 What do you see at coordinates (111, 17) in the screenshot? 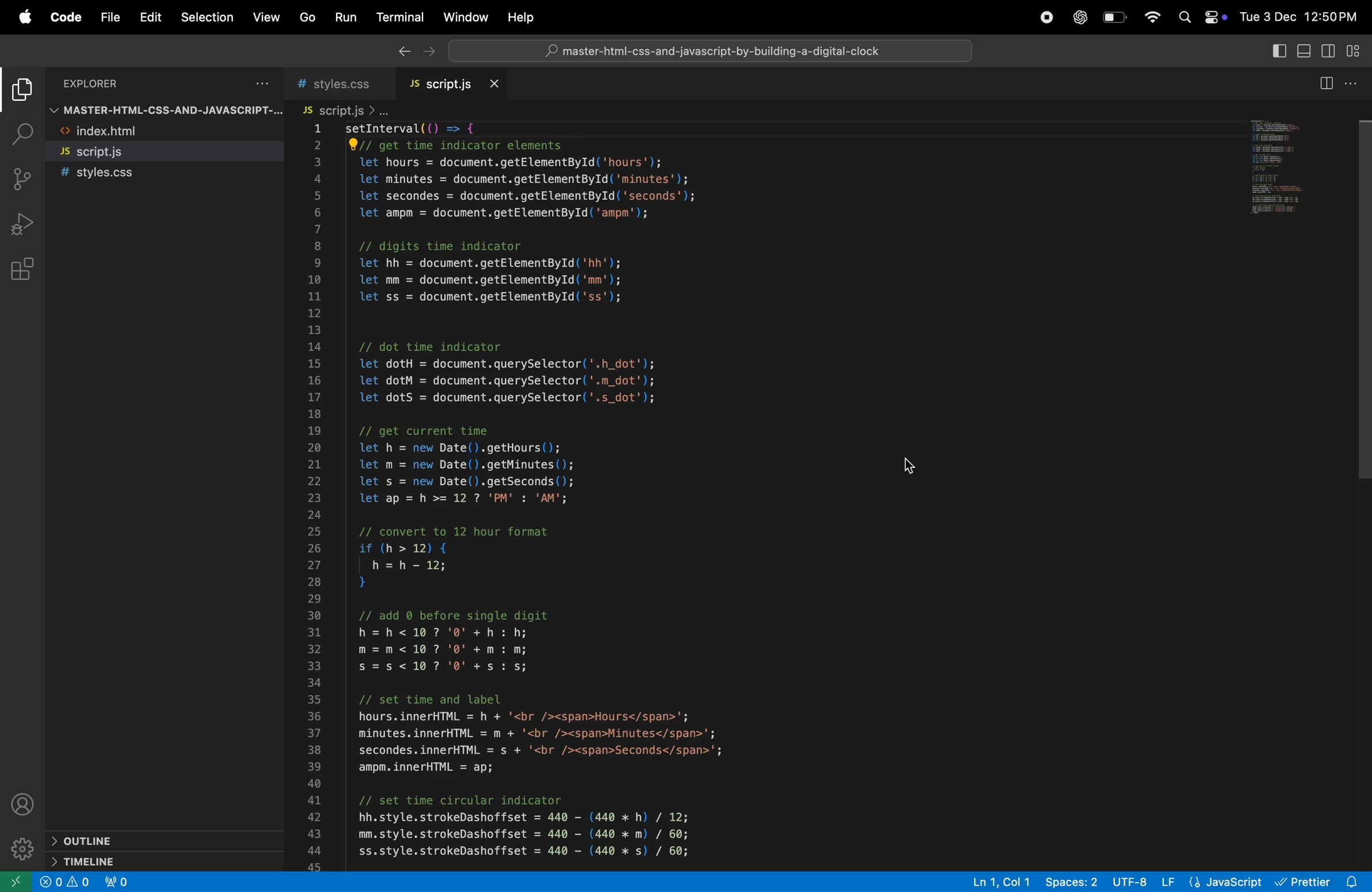
I see `file` at bounding box center [111, 17].